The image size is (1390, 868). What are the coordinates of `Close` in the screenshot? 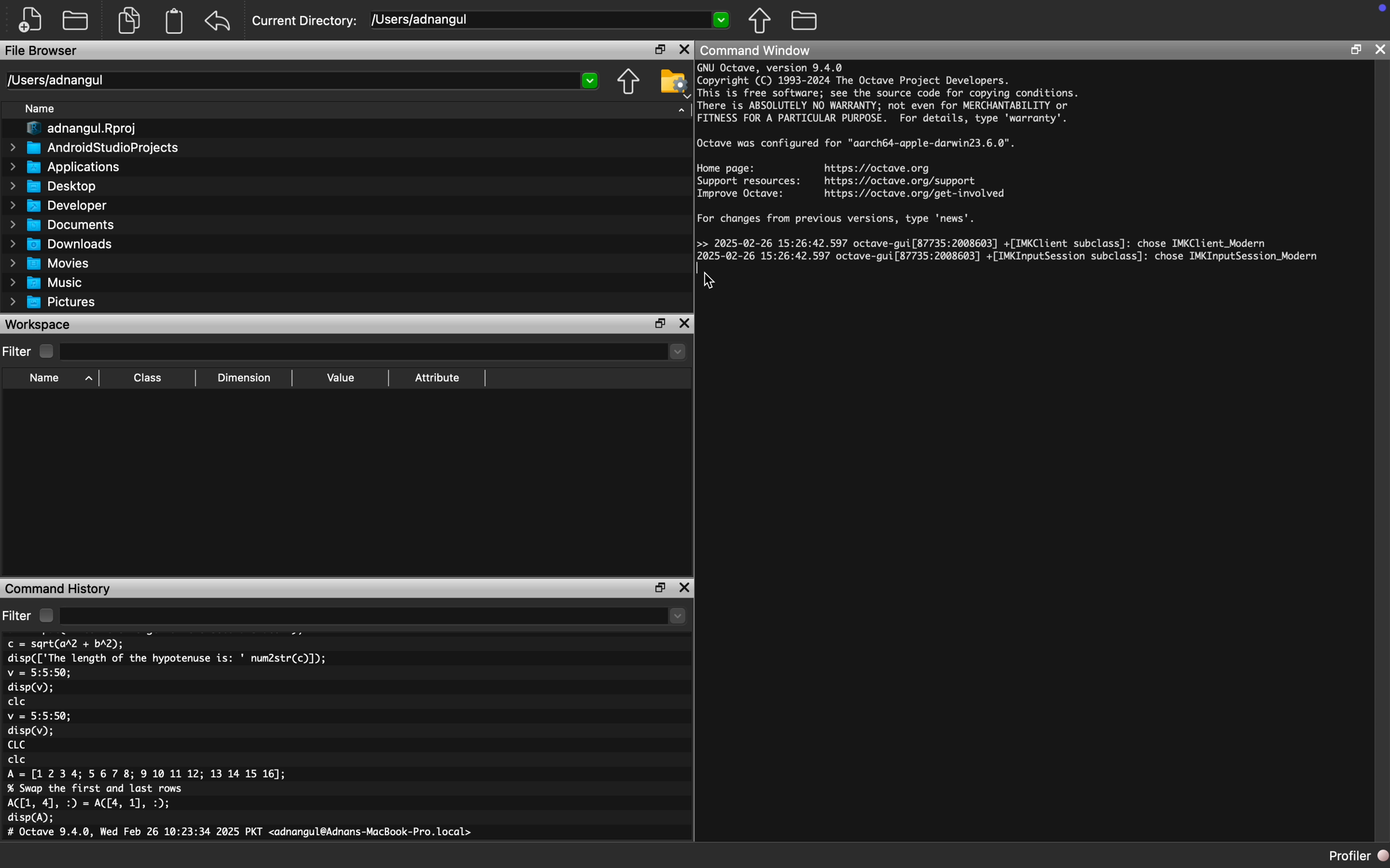 It's located at (684, 49).